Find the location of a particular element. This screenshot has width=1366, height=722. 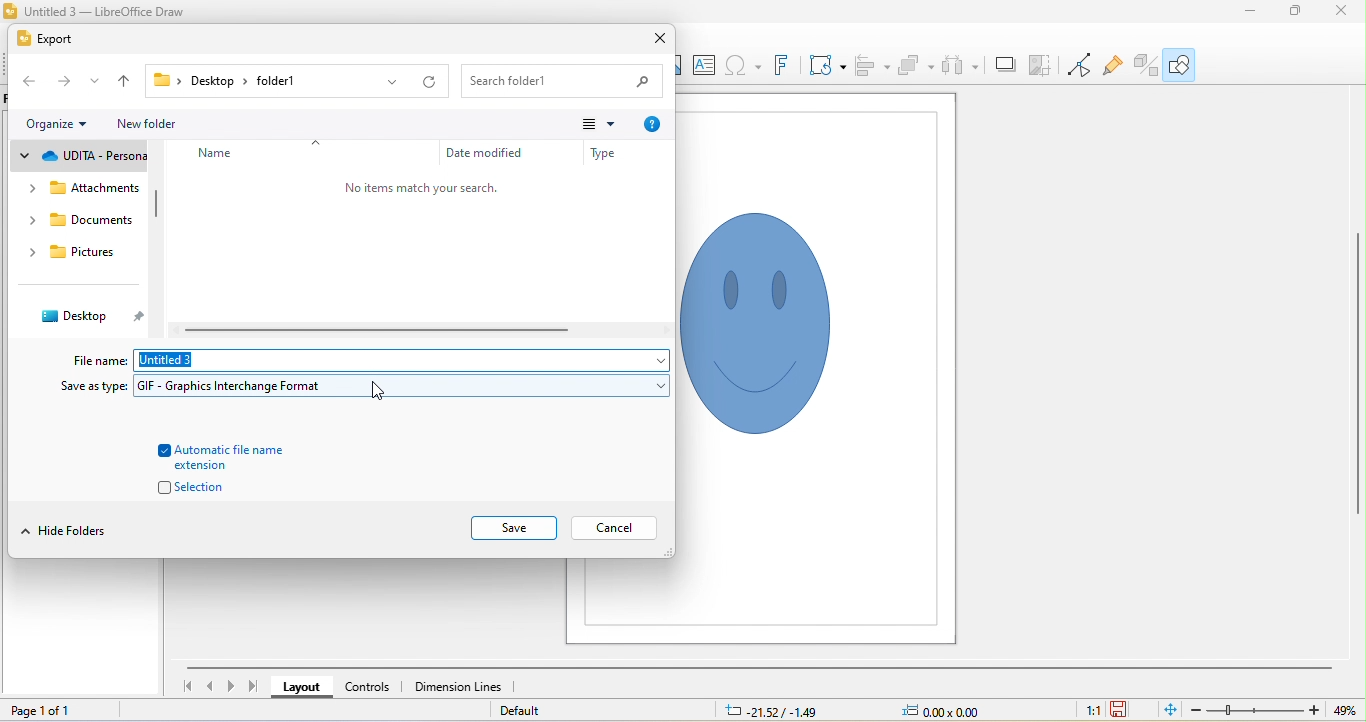

horizontal scroll bar is located at coordinates (388, 331).